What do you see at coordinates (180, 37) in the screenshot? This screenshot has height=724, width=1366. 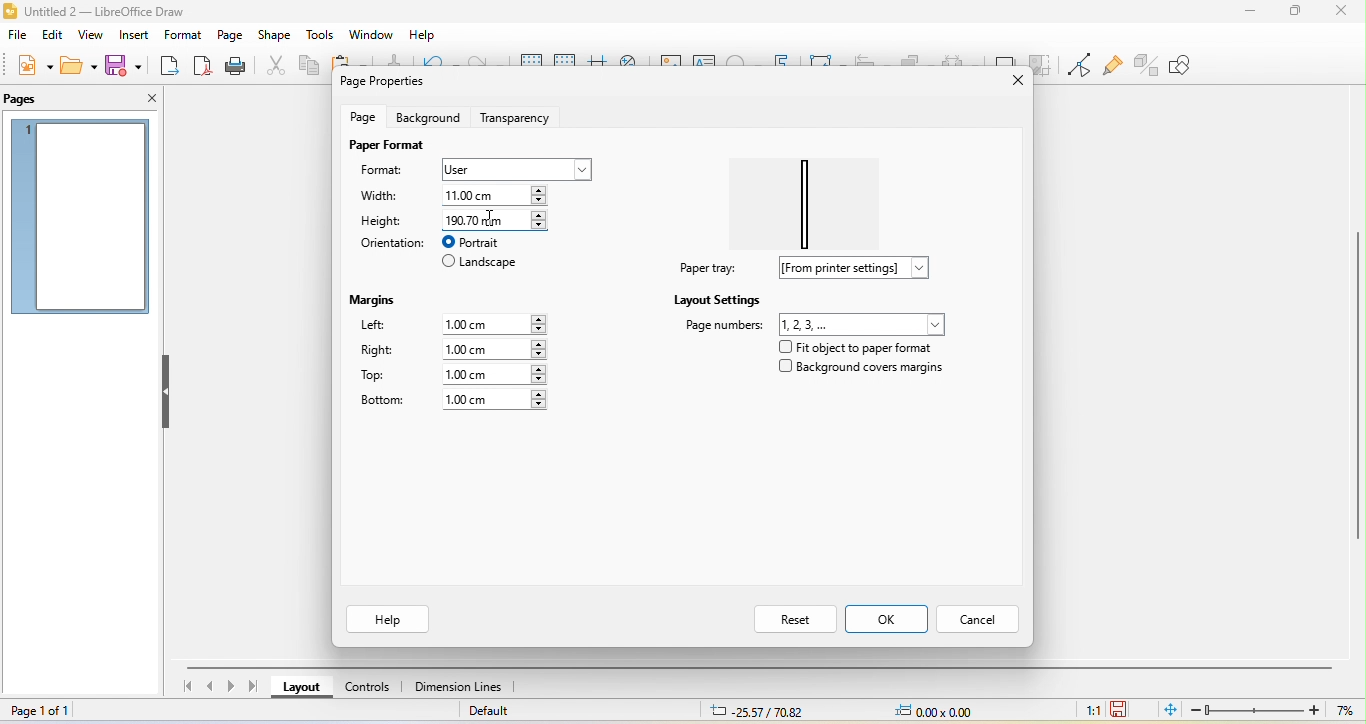 I see `format` at bounding box center [180, 37].